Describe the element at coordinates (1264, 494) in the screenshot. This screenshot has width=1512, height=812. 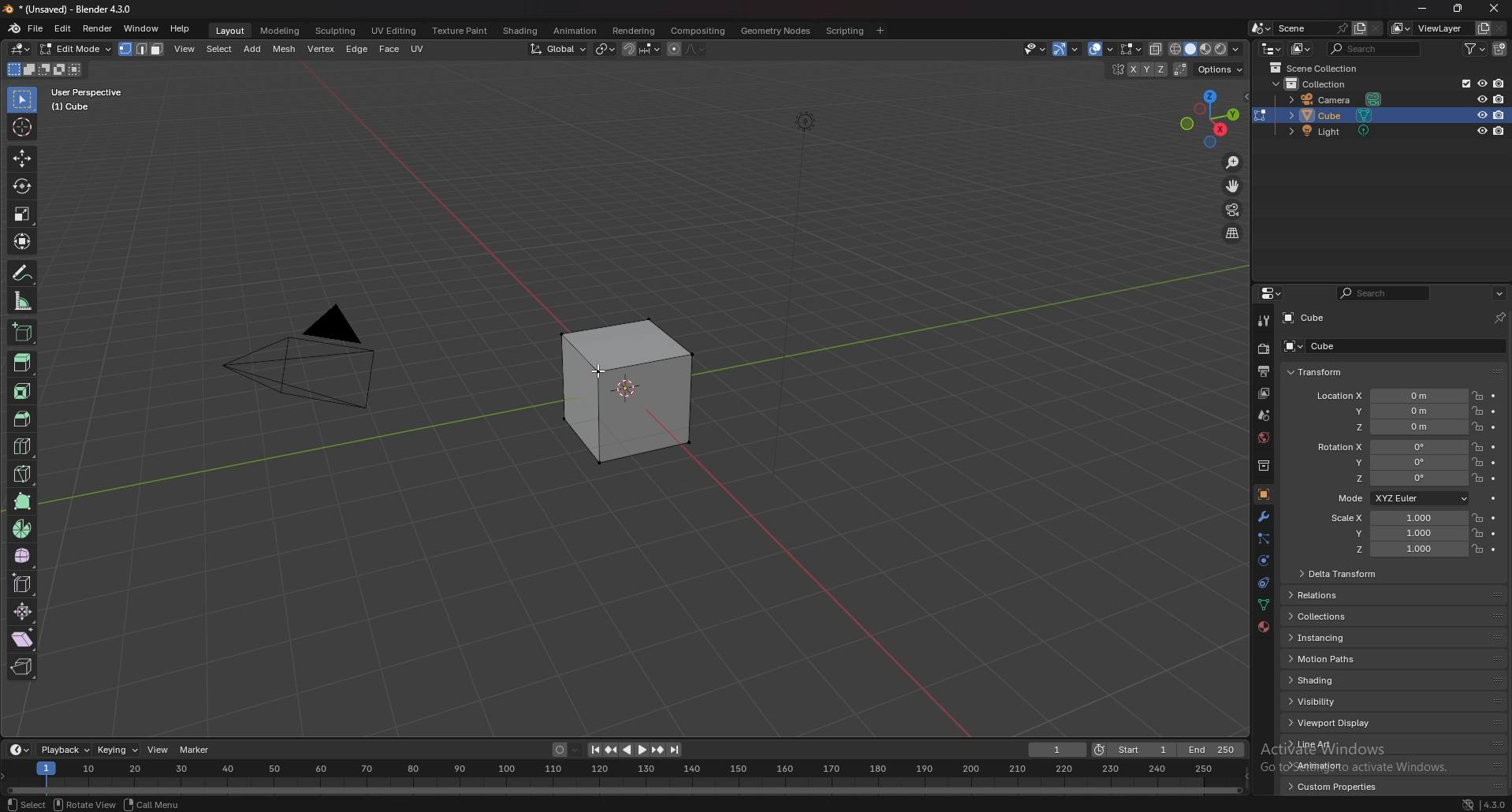
I see `object` at that location.